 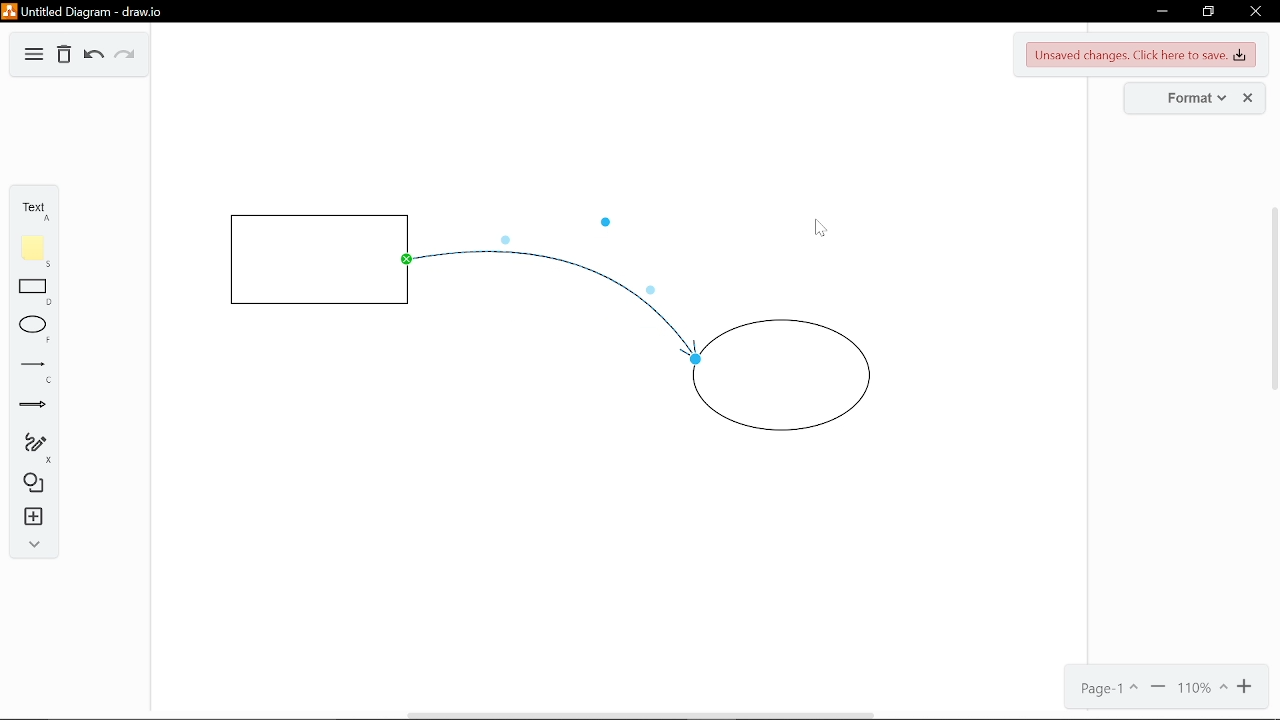 I want to click on Minimize, so click(x=1159, y=10).